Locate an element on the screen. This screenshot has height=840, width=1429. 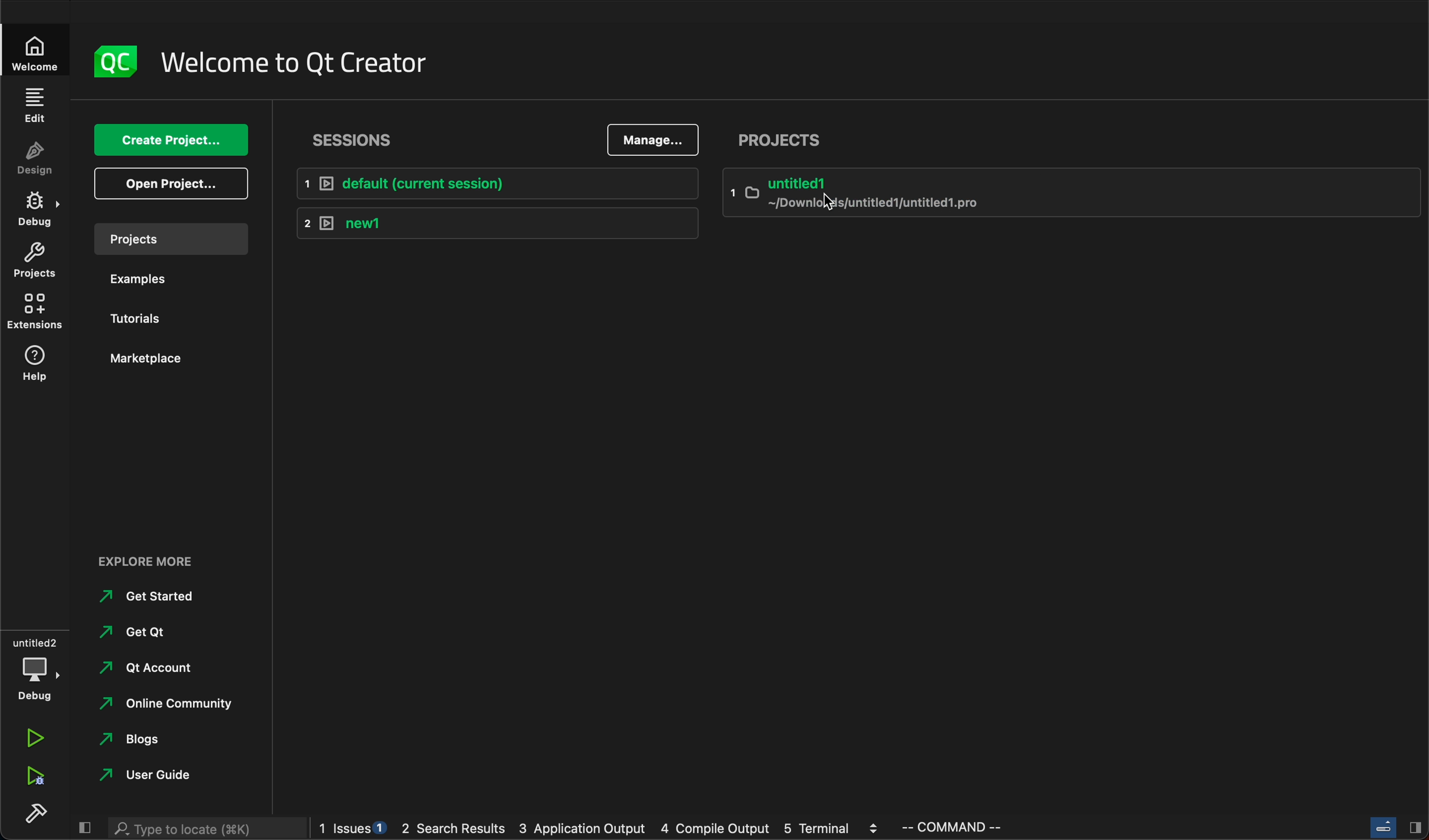
user code is located at coordinates (166, 774).